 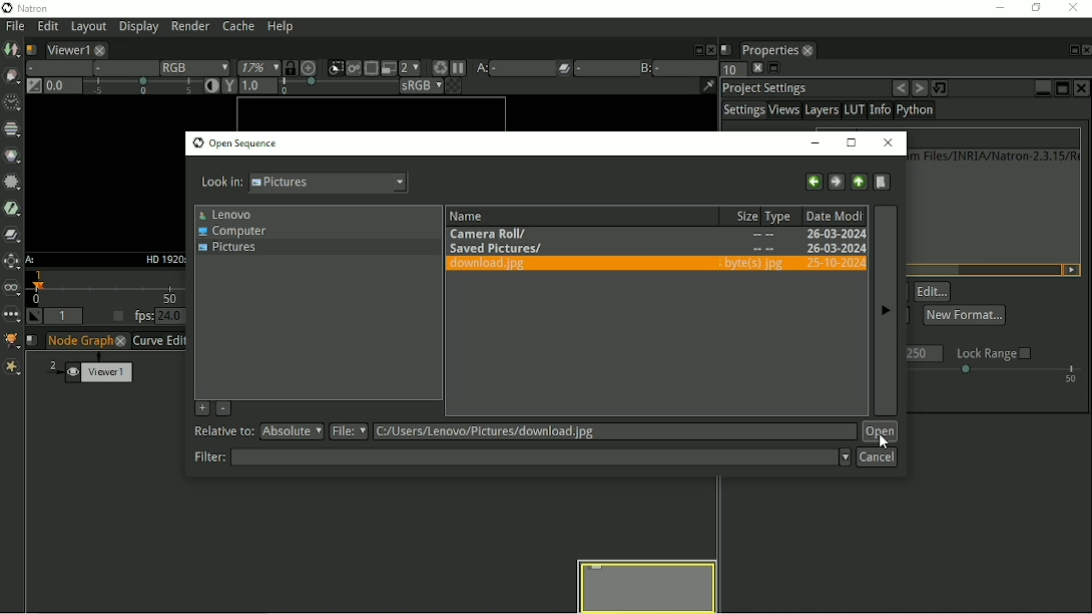 What do you see at coordinates (232, 250) in the screenshot?
I see `Pictures` at bounding box center [232, 250].